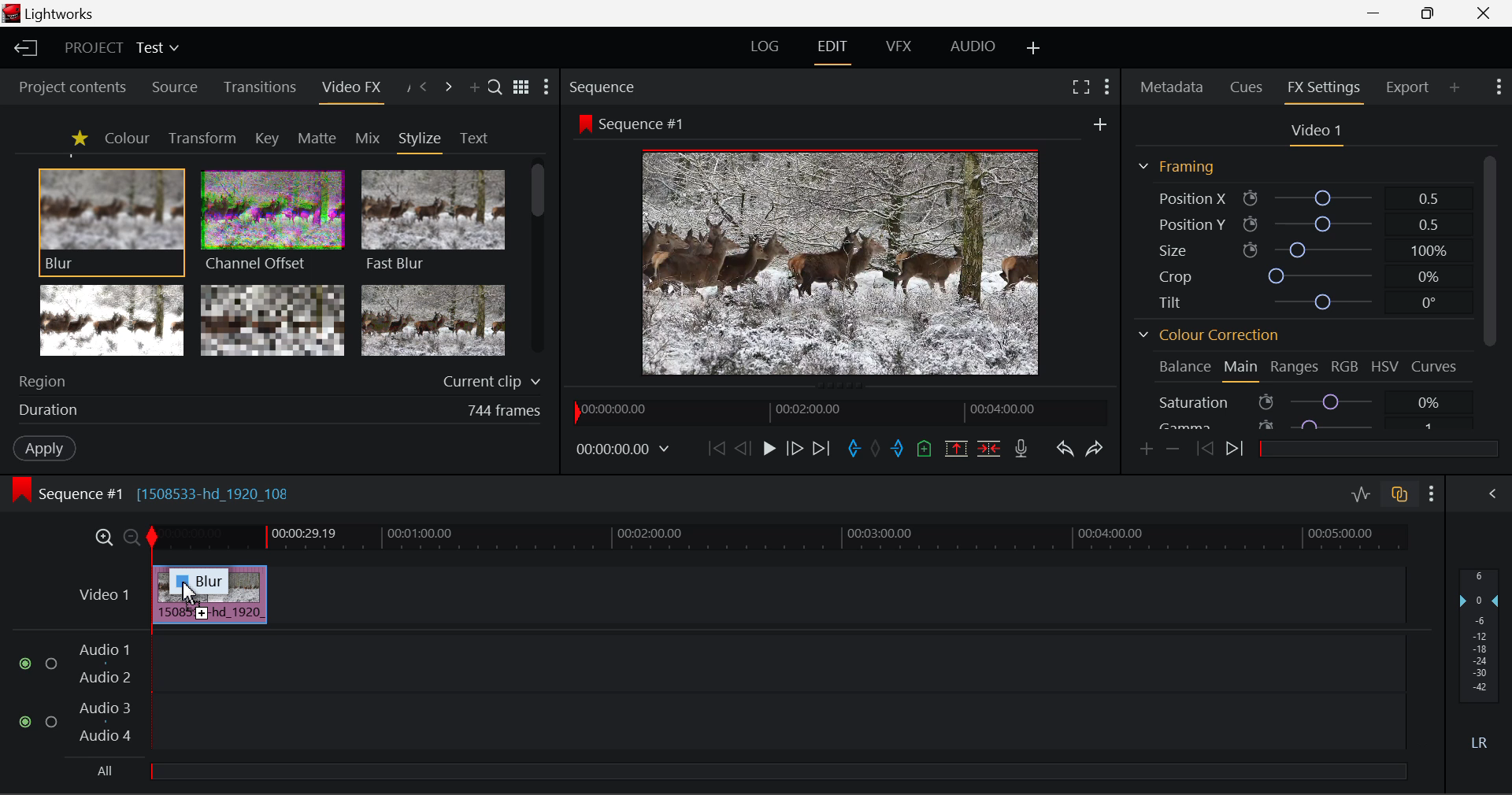 Image resolution: width=1512 pixels, height=795 pixels. Describe the element at coordinates (1295, 304) in the screenshot. I see `Tilt` at that location.